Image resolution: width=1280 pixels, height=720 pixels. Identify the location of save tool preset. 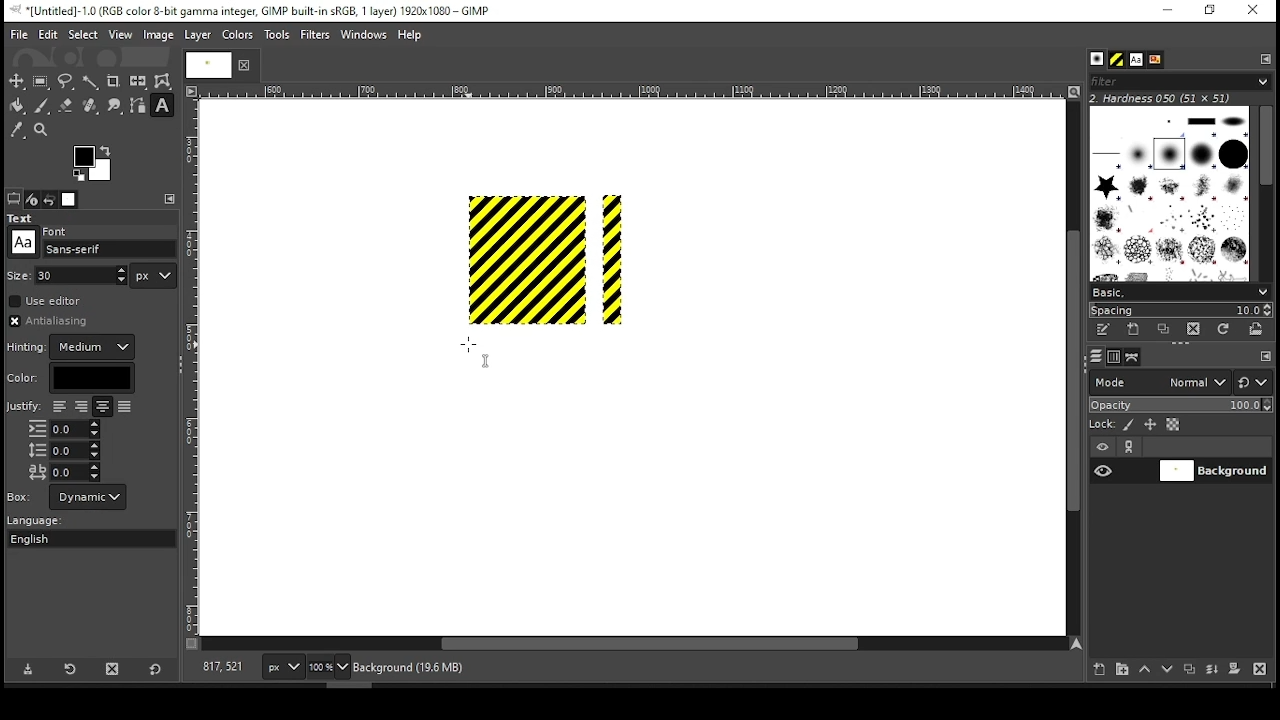
(30, 668).